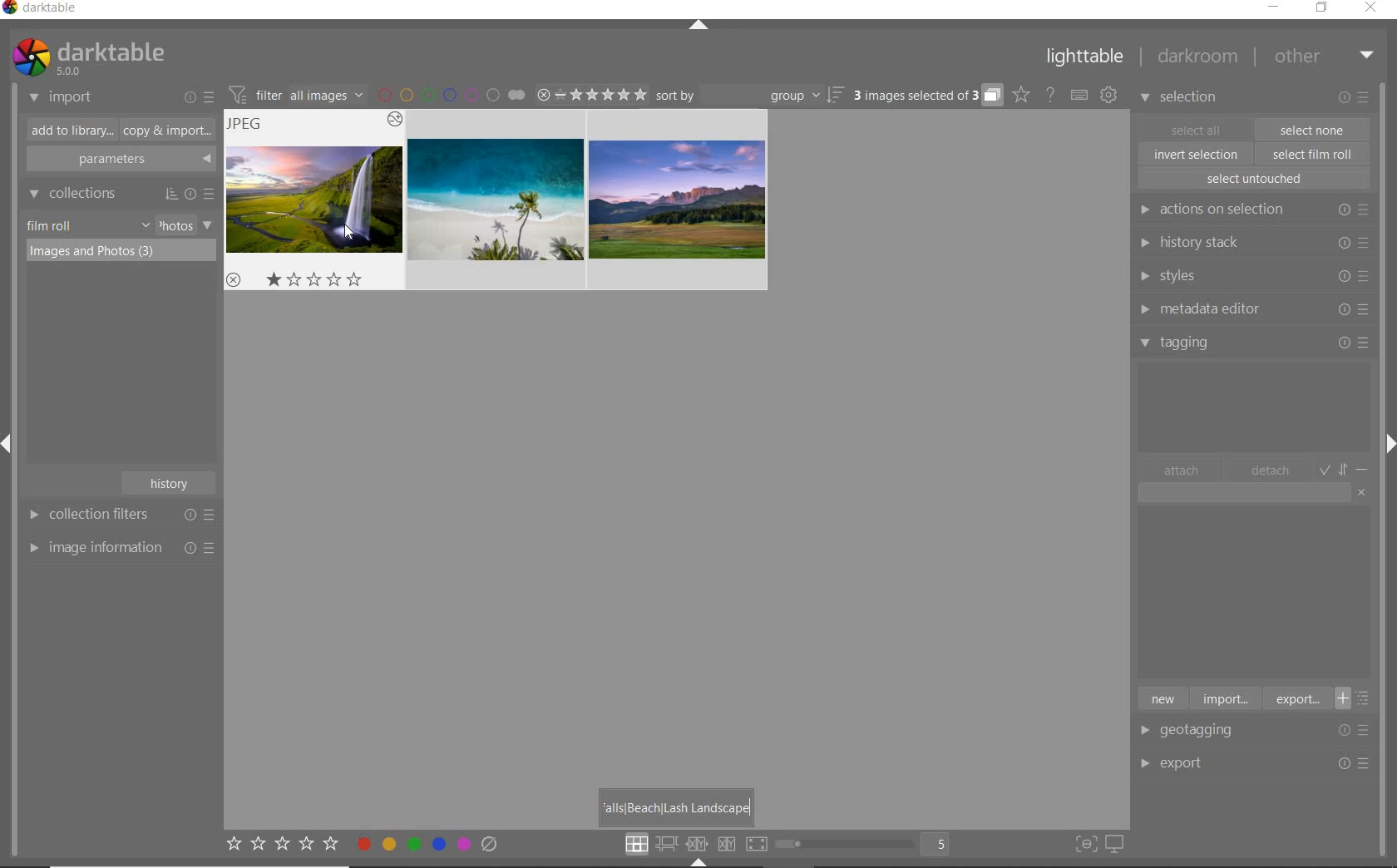 This screenshot has height=868, width=1397. What do you see at coordinates (1313, 152) in the screenshot?
I see `select film roll` at bounding box center [1313, 152].